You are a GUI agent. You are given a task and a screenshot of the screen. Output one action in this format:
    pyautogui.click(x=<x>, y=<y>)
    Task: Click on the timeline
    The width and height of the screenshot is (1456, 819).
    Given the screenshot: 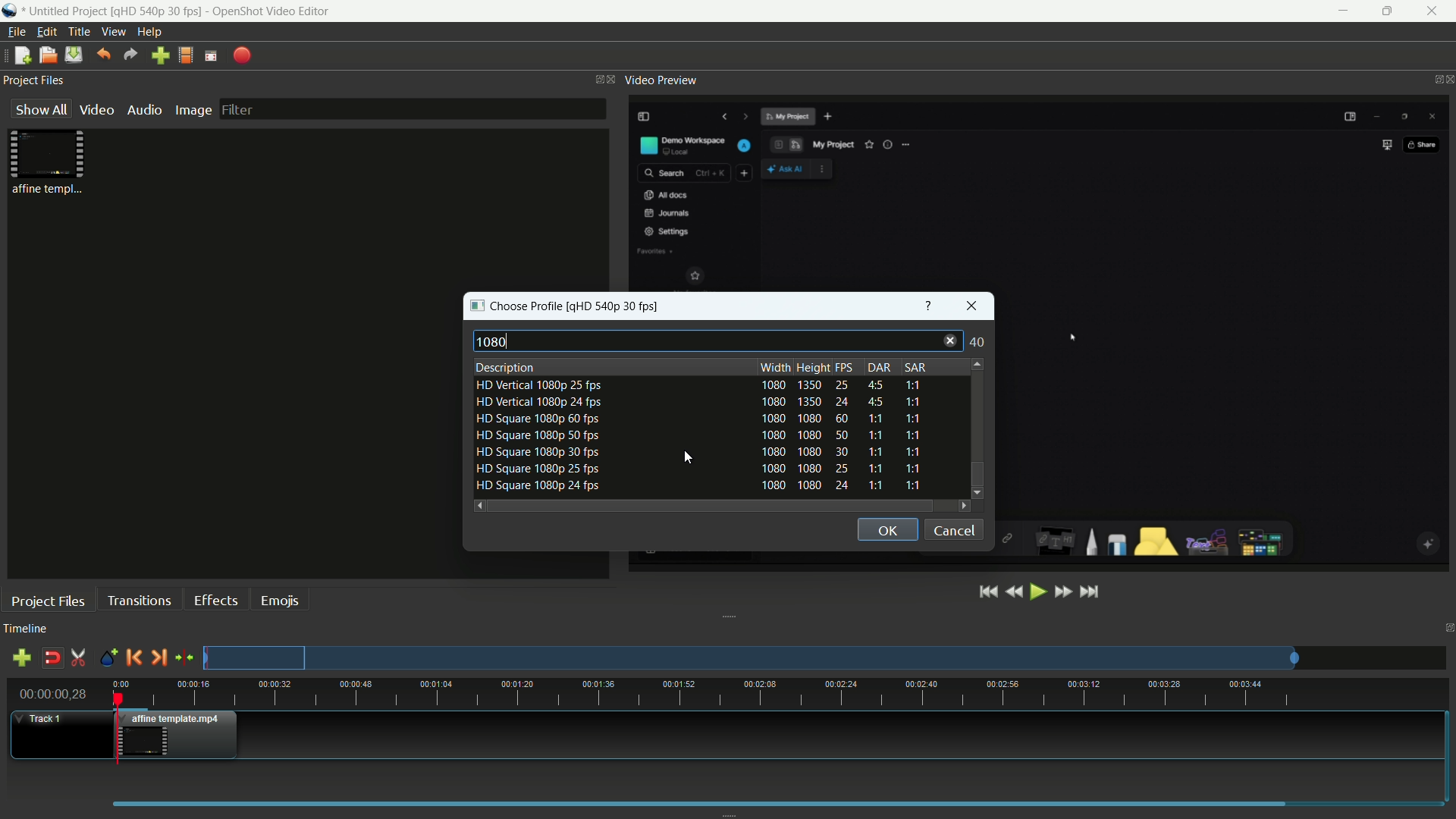 What is the action you would take?
    pyautogui.click(x=26, y=629)
    